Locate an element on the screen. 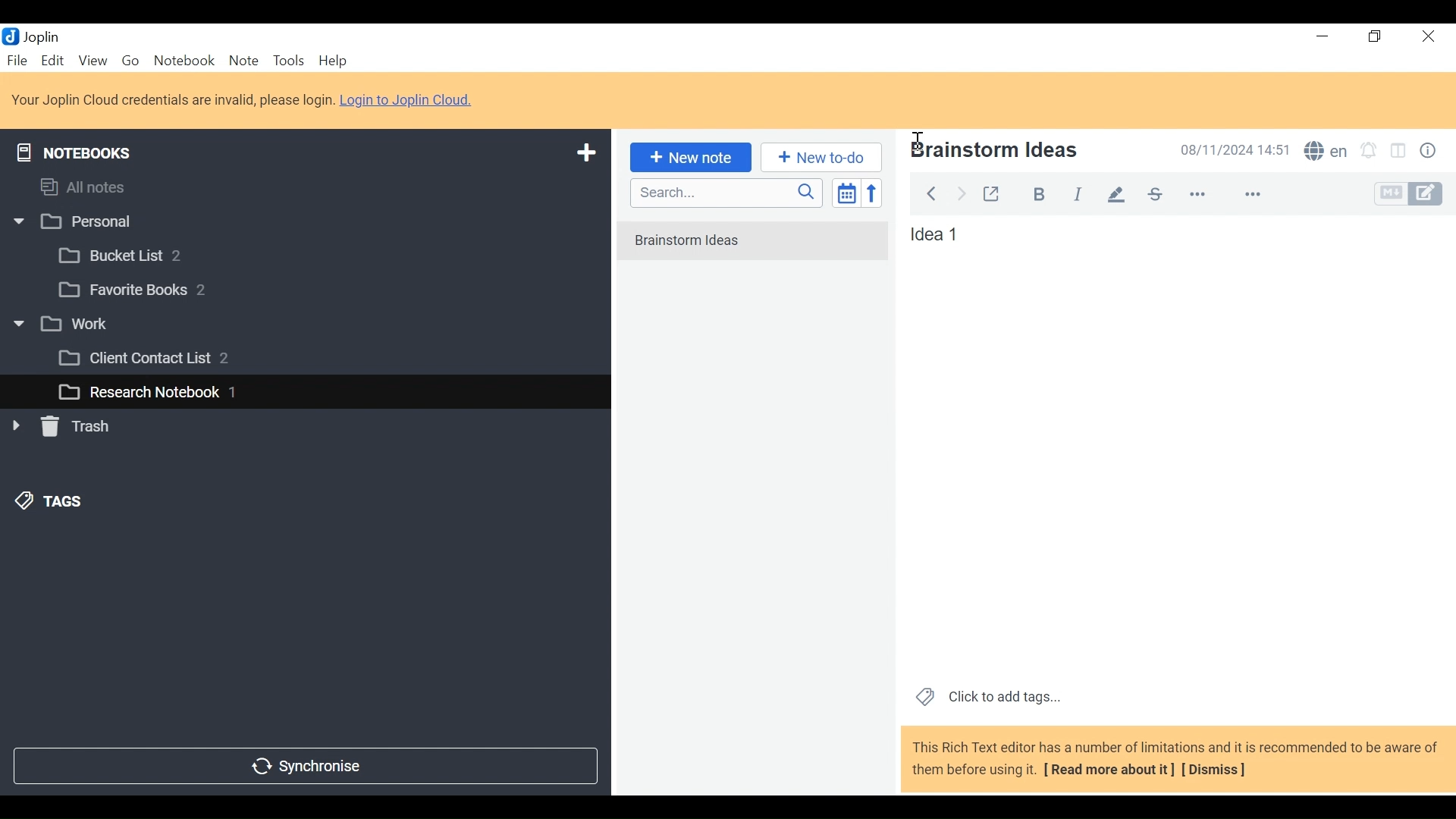  Notebooks is located at coordinates (85, 149).